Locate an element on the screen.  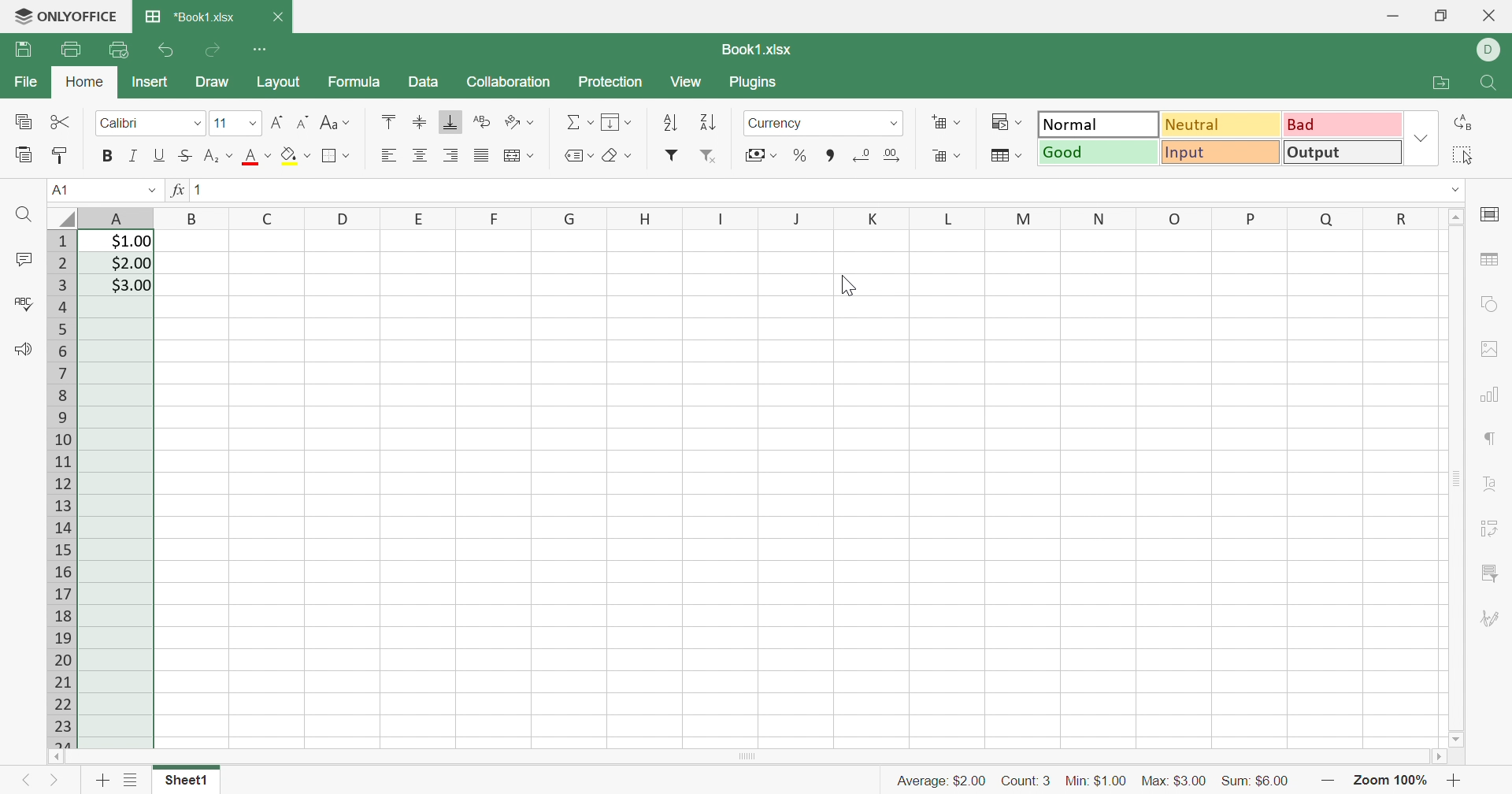
Zoom in is located at coordinates (1327, 782).